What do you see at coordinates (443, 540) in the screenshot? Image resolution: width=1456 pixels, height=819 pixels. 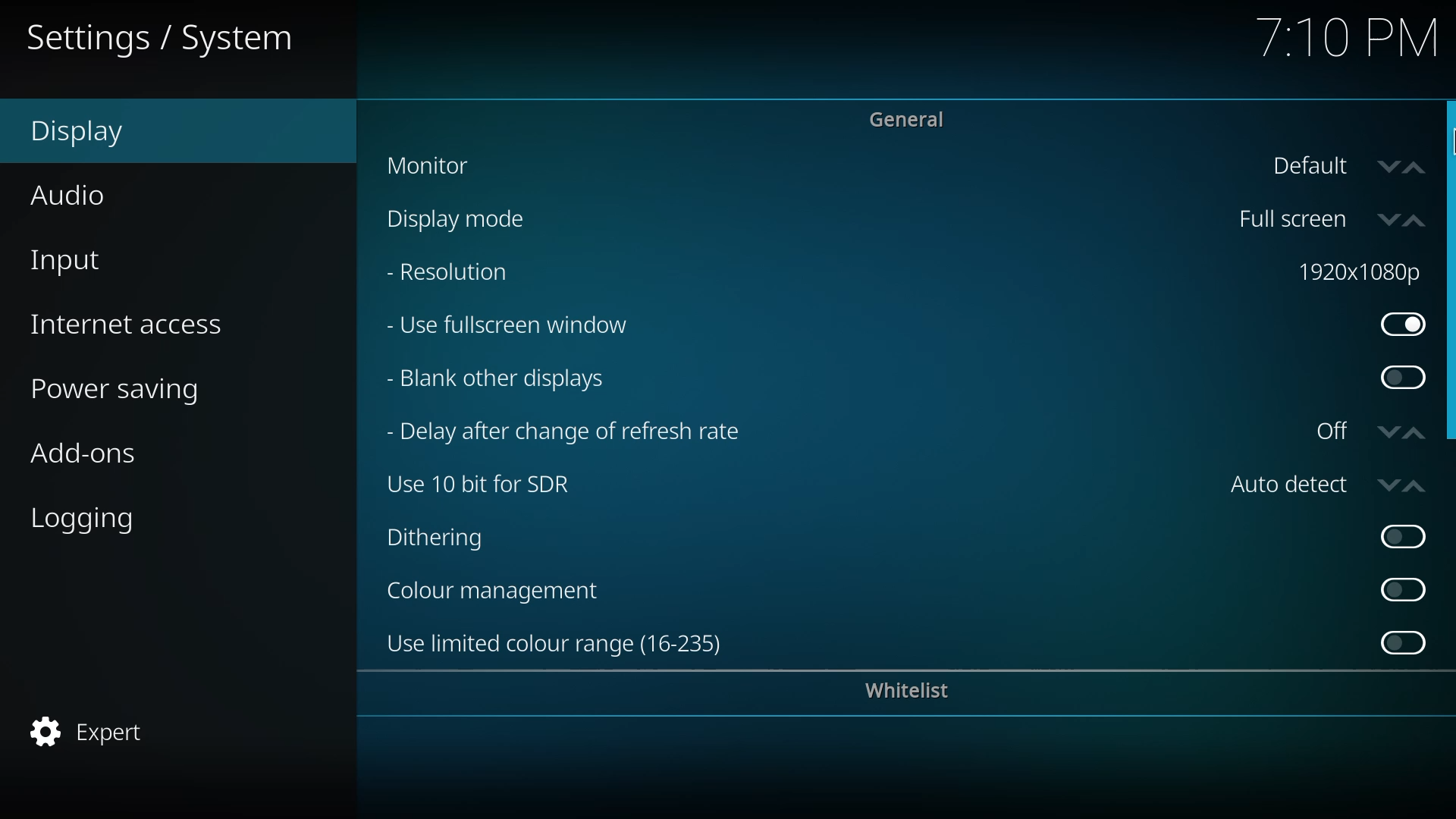 I see `dithering` at bounding box center [443, 540].